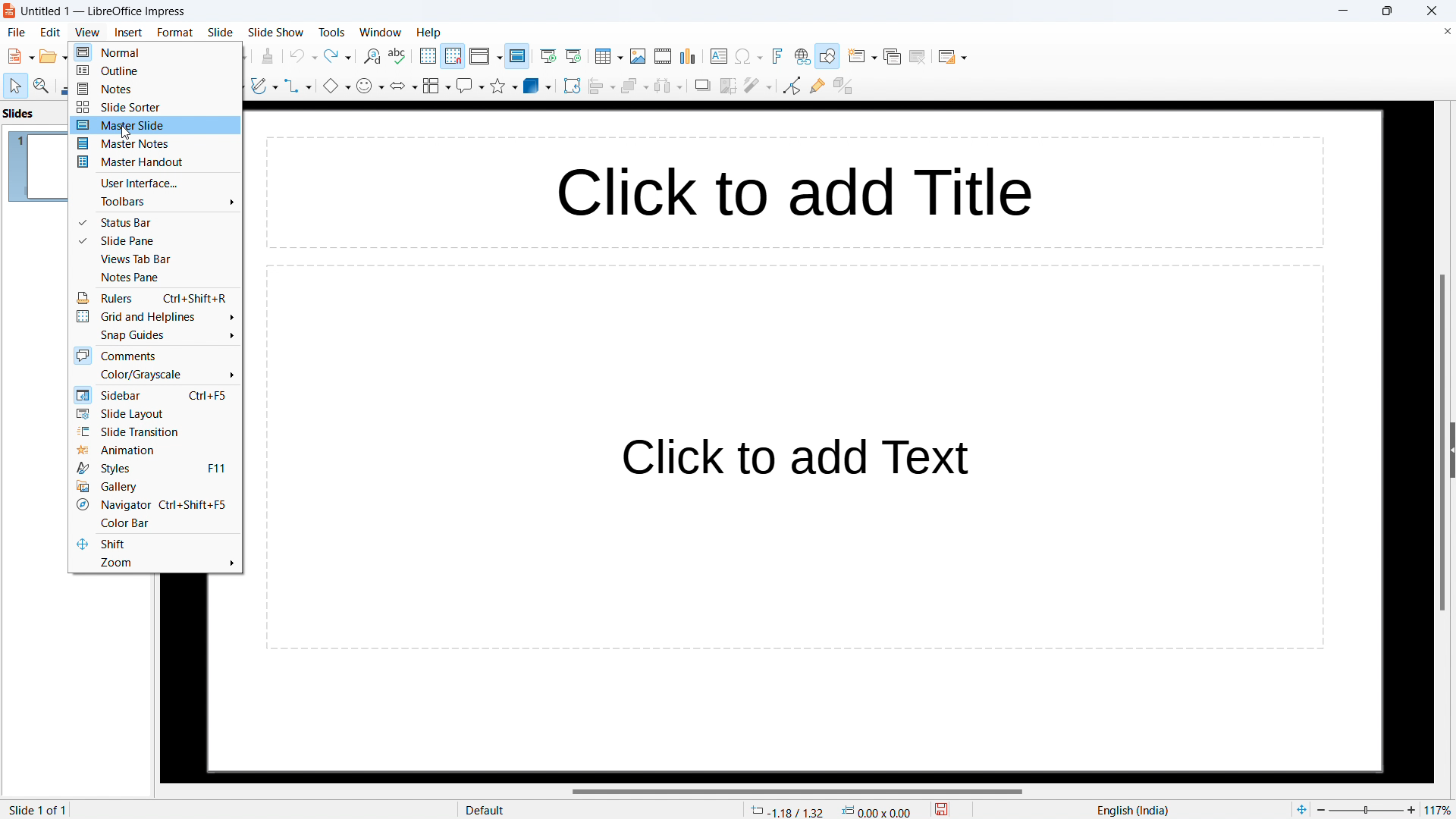  Describe the element at coordinates (276, 32) in the screenshot. I see `slide show` at that location.